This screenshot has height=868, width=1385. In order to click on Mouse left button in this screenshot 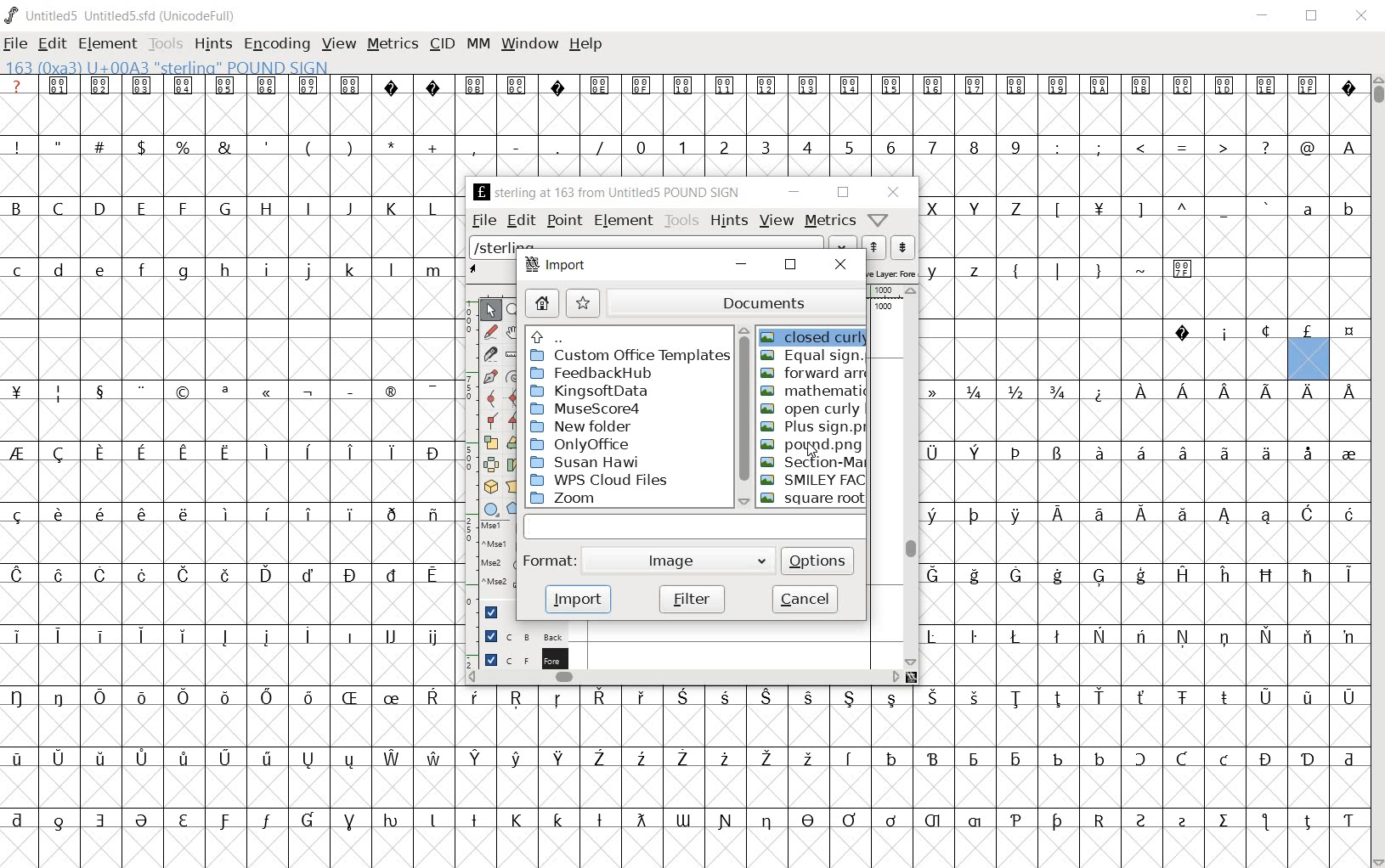, I will do `click(500, 528)`.